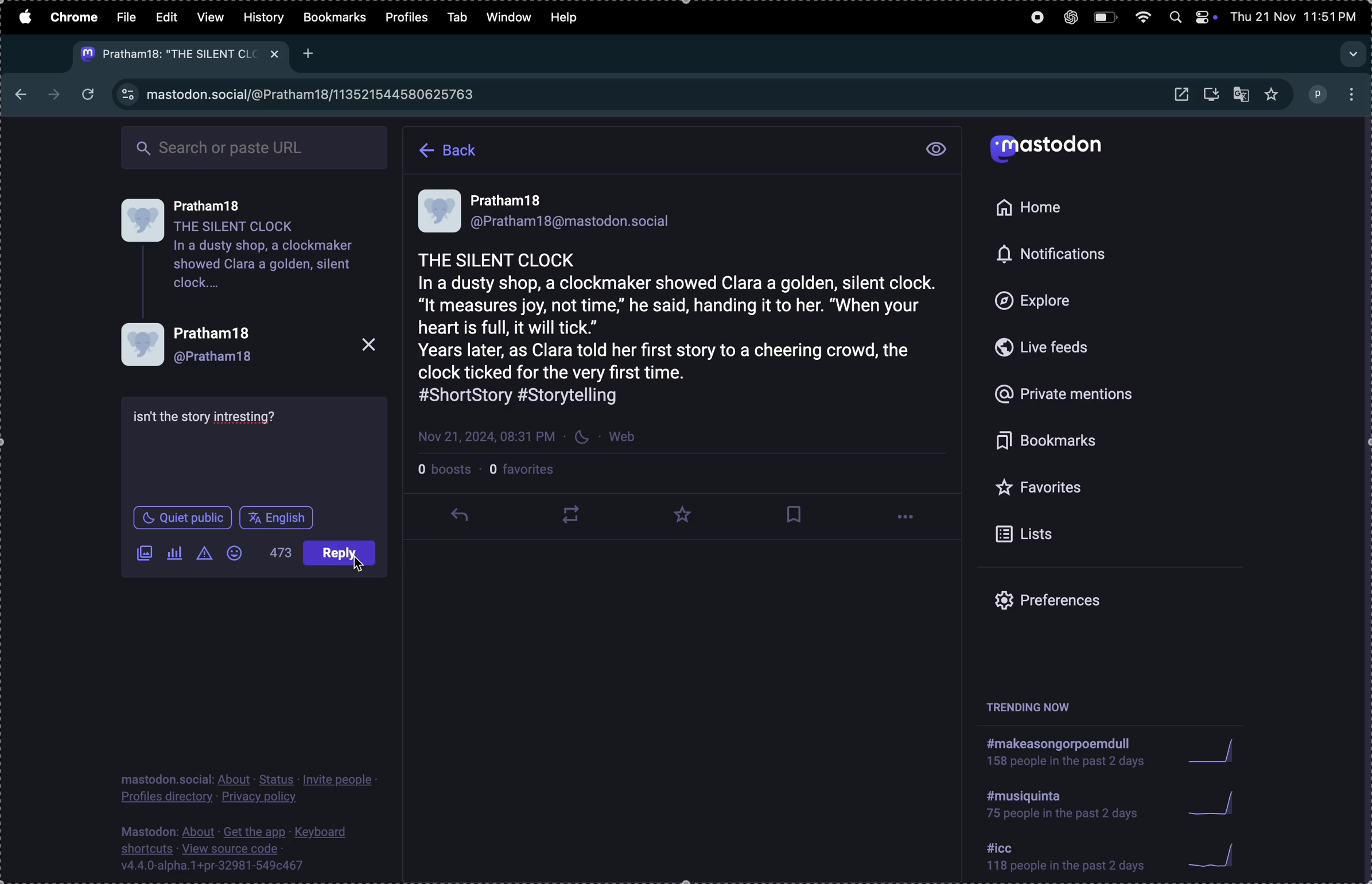 The width and height of the screenshot is (1372, 884). I want to click on notifications, so click(1052, 256).